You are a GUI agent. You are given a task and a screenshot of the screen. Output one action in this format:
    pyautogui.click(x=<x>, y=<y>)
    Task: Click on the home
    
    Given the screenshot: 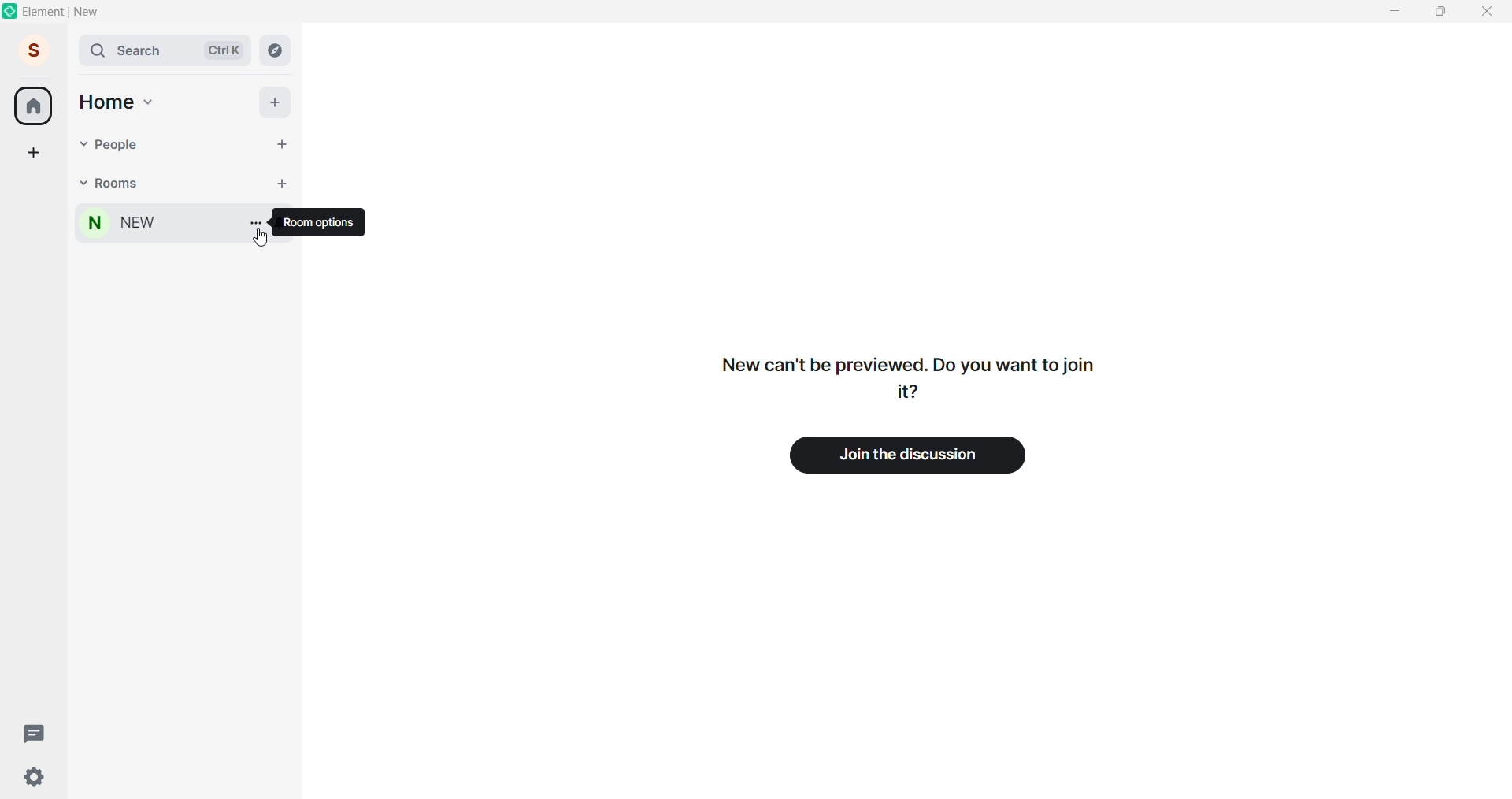 What is the action you would take?
    pyautogui.click(x=34, y=105)
    